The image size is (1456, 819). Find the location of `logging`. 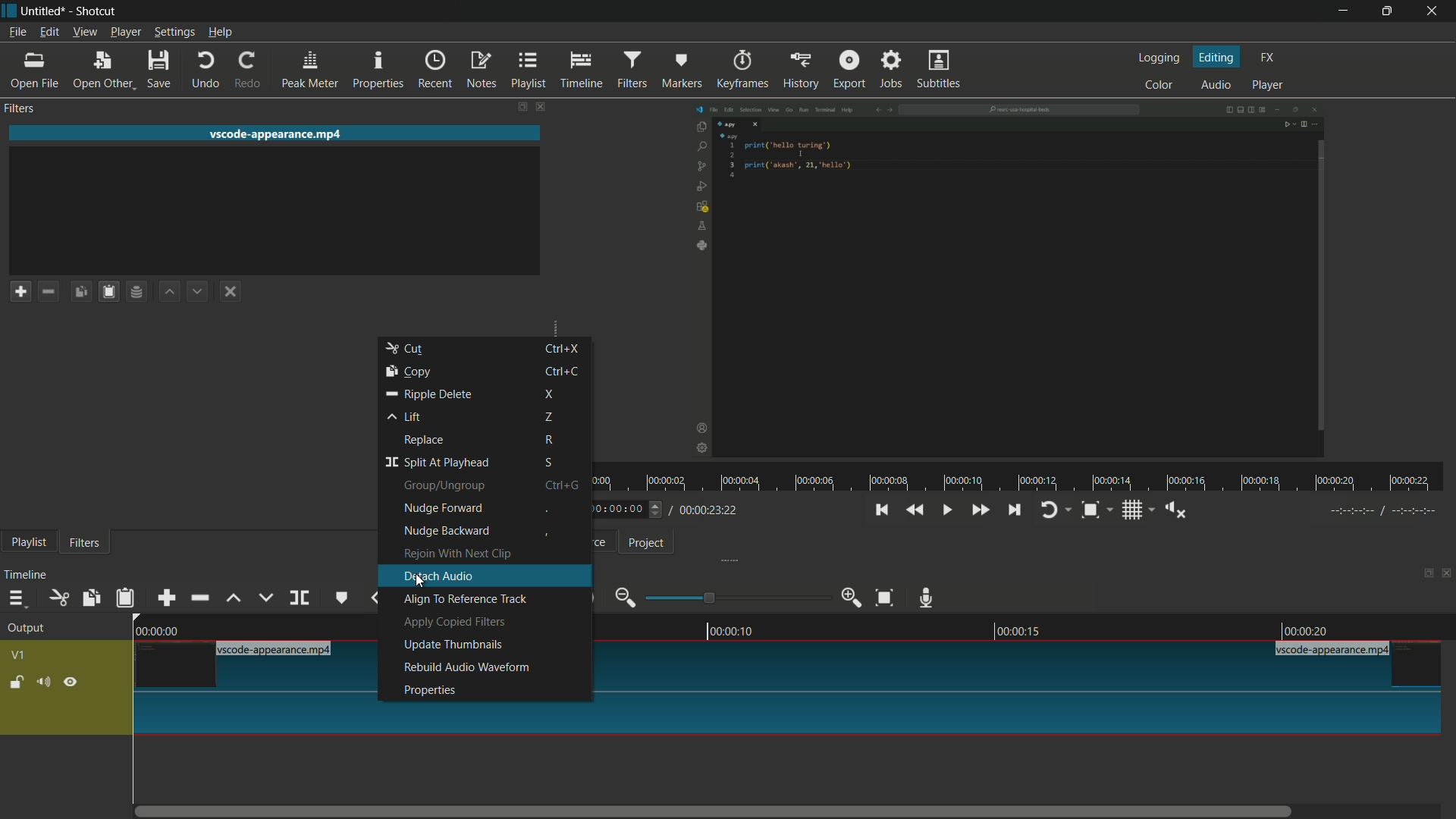

logging is located at coordinates (1159, 59).